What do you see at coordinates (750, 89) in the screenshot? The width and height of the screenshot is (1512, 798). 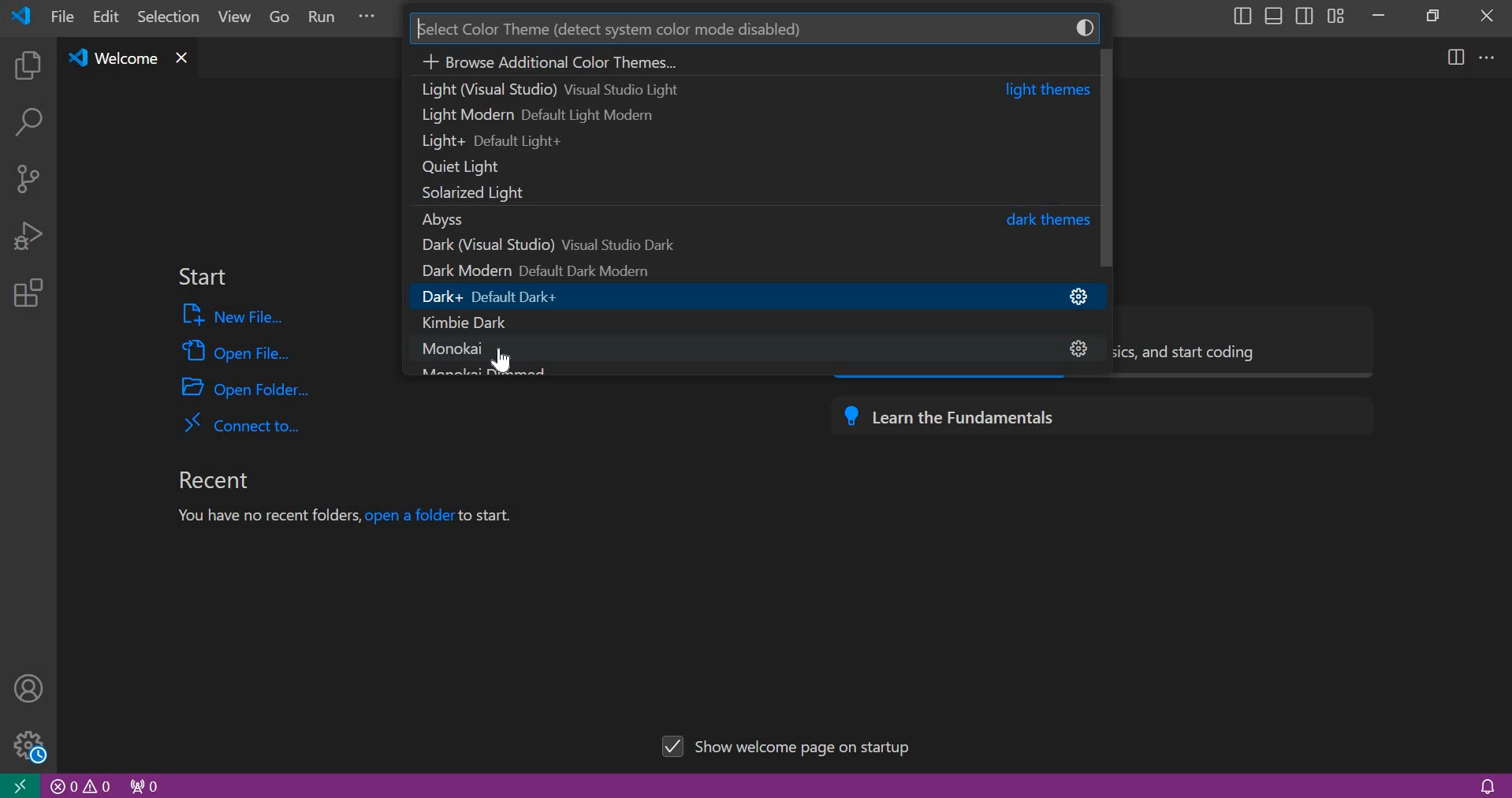 I see `Light` at bounding box center [750, 89].